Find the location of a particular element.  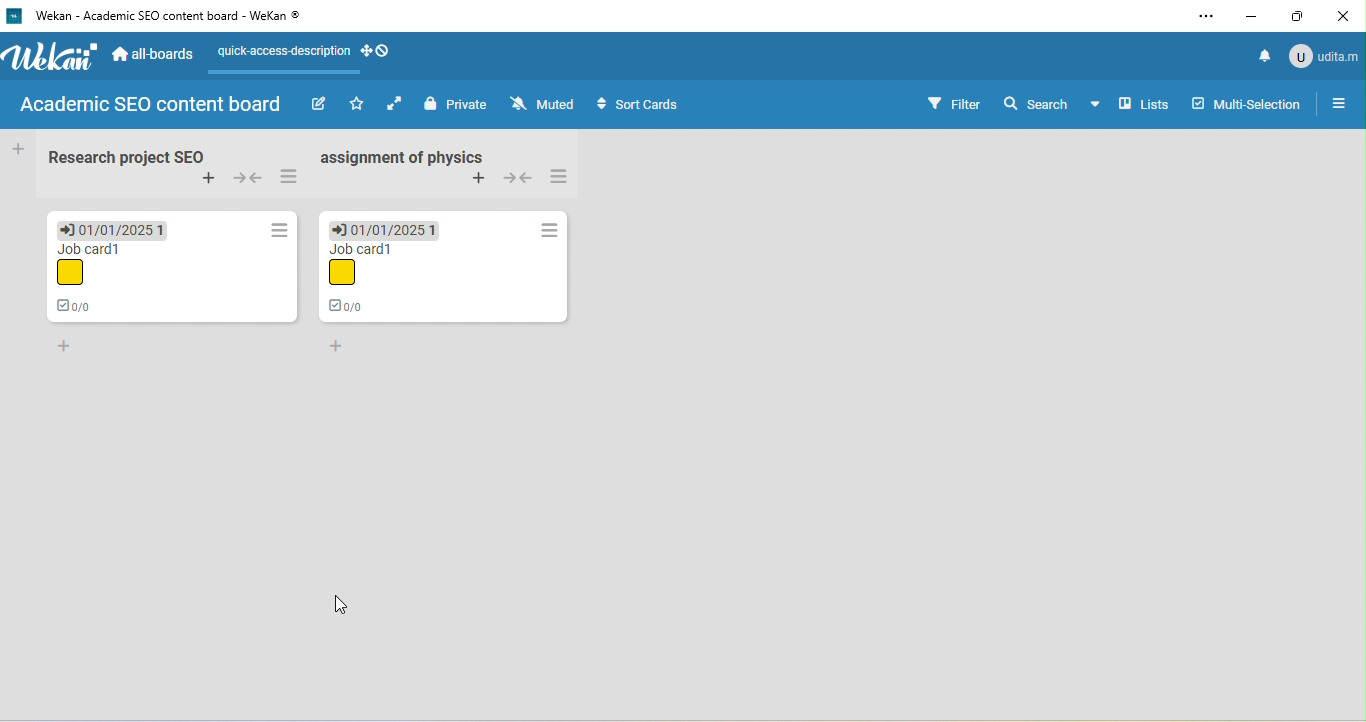

add swimlane is located at coordinates (211, 181).